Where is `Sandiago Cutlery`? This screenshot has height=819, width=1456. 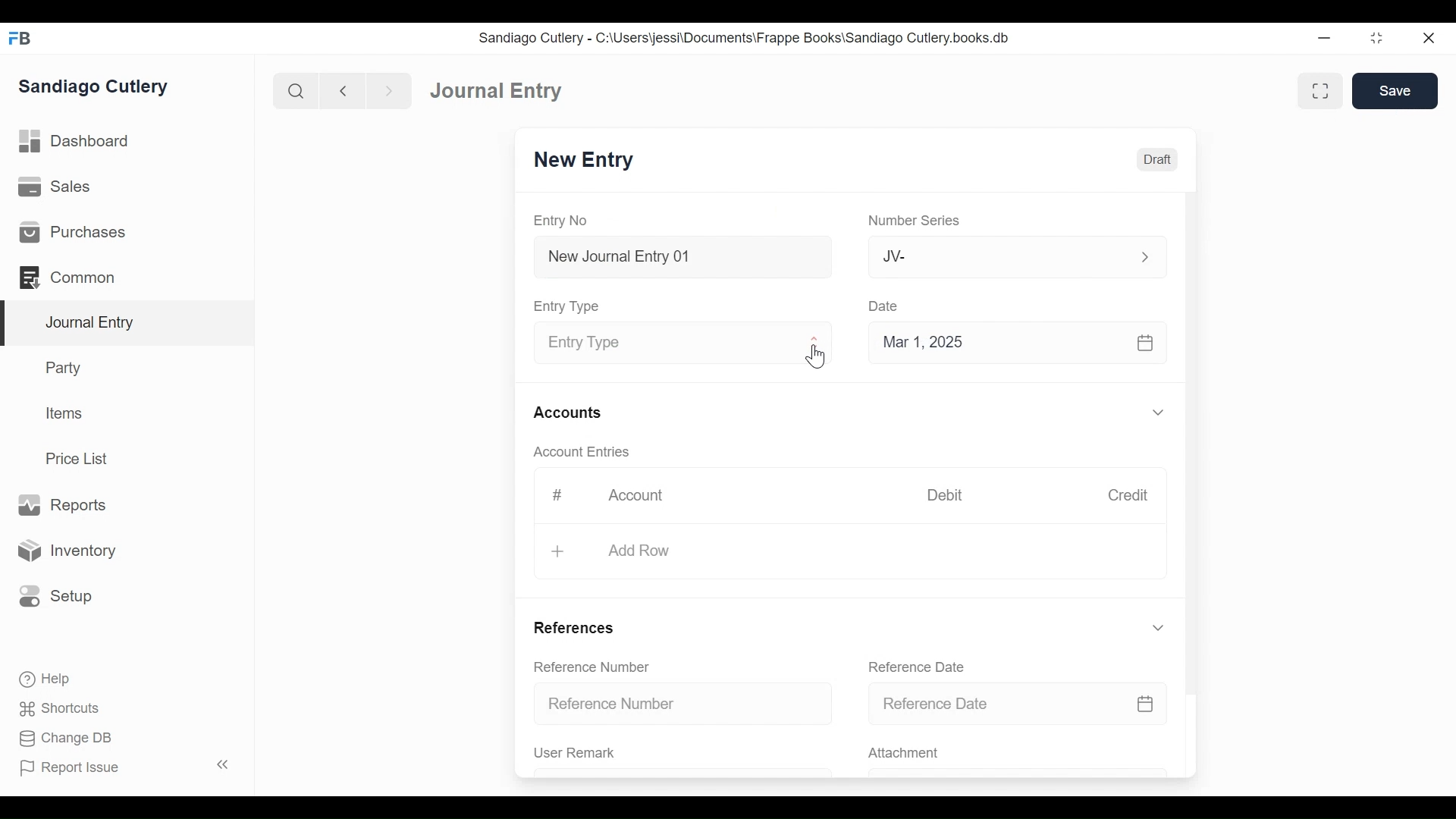 Sandiago Cutlery is located at coordinates (102, 88).